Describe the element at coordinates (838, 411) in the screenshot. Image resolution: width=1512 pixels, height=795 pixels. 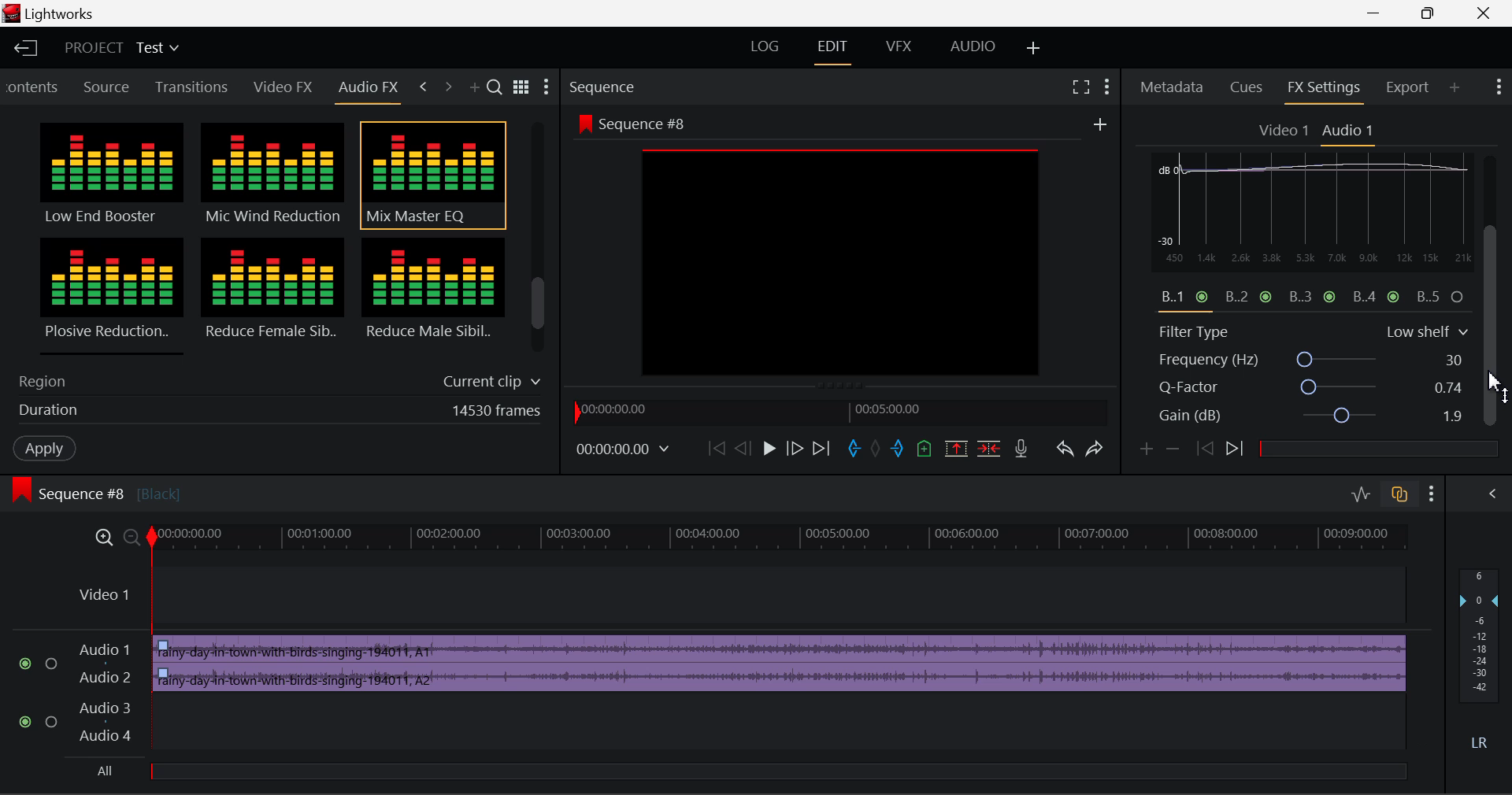
I see `Project Timeline Navigator` at that location.